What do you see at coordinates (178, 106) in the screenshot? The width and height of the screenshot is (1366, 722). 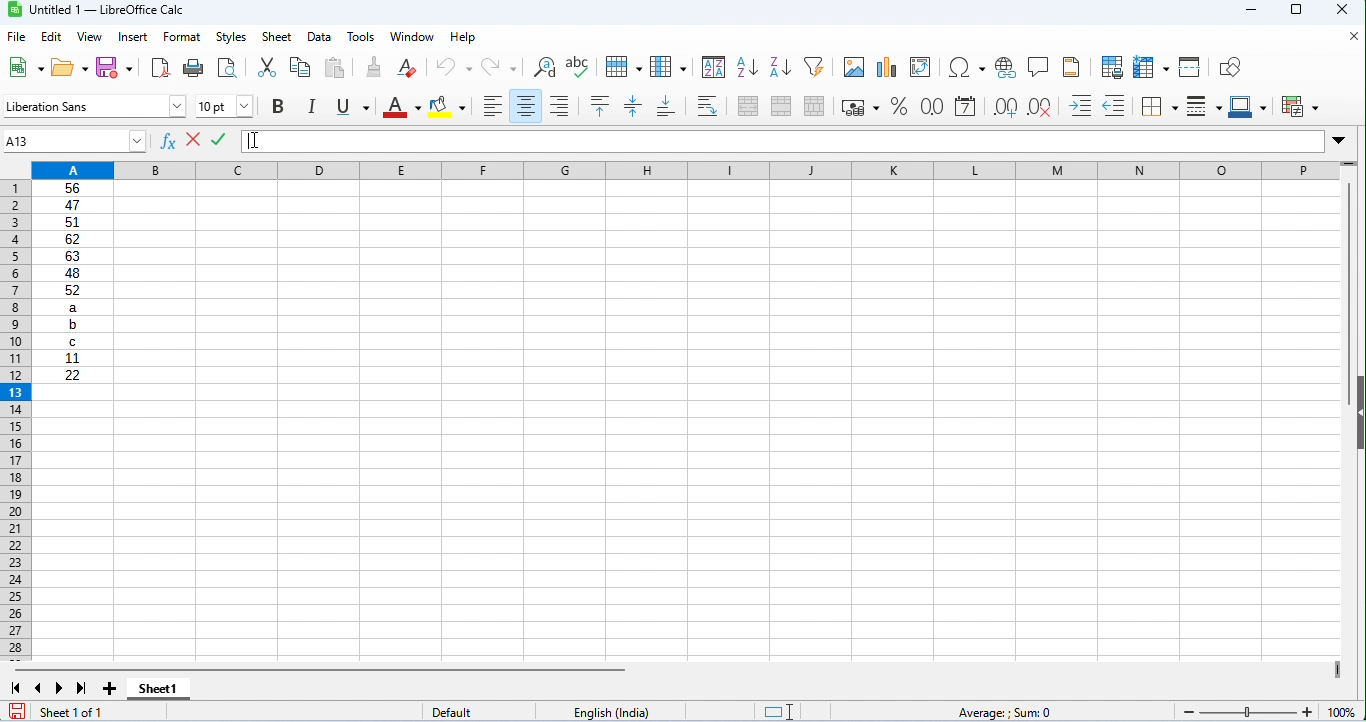 I see `drop down for font options` at bounding box center [178, 106].